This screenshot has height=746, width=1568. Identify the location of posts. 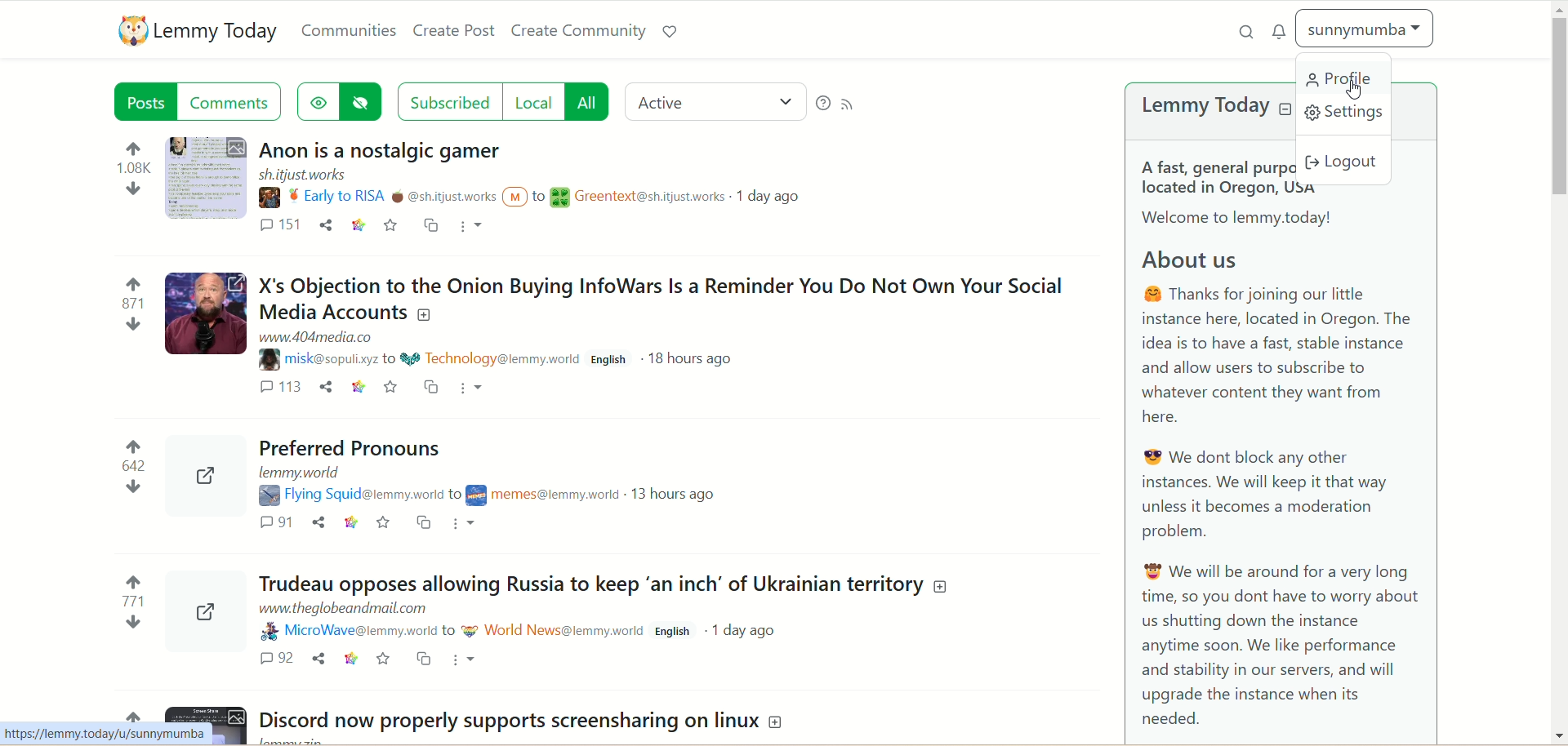
(143, 101).